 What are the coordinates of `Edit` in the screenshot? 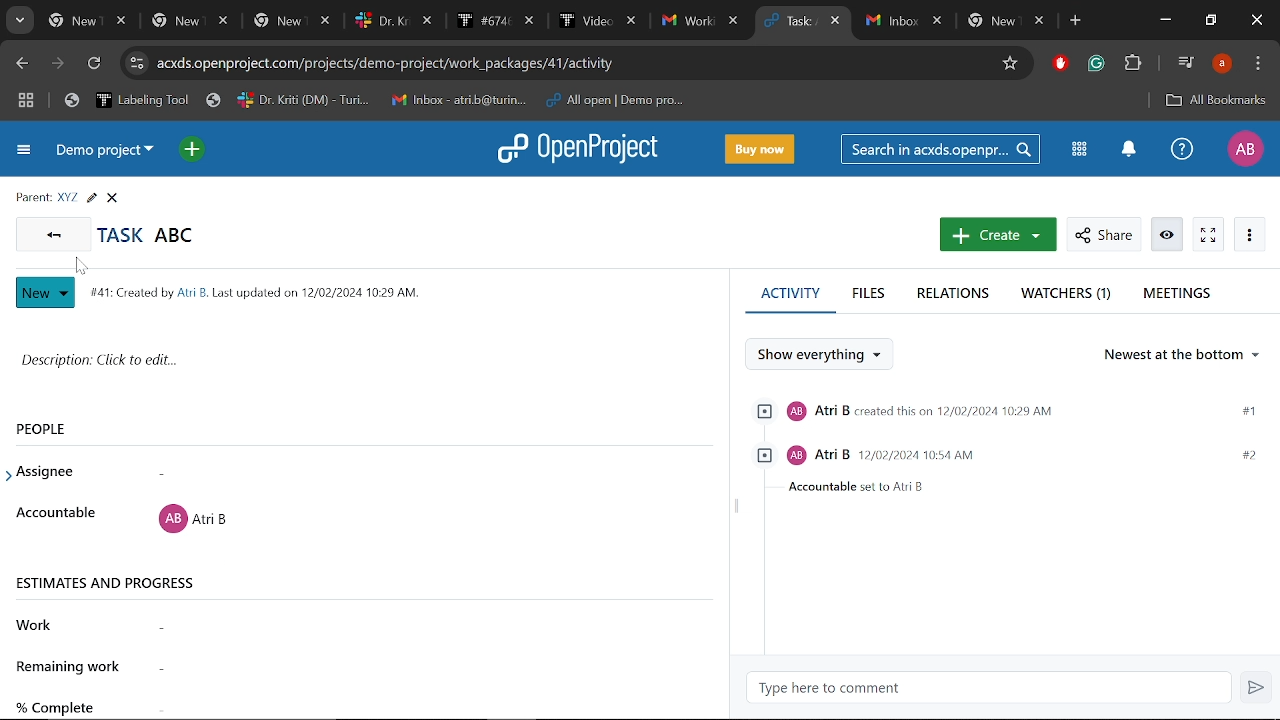 It's located at (91, 199).